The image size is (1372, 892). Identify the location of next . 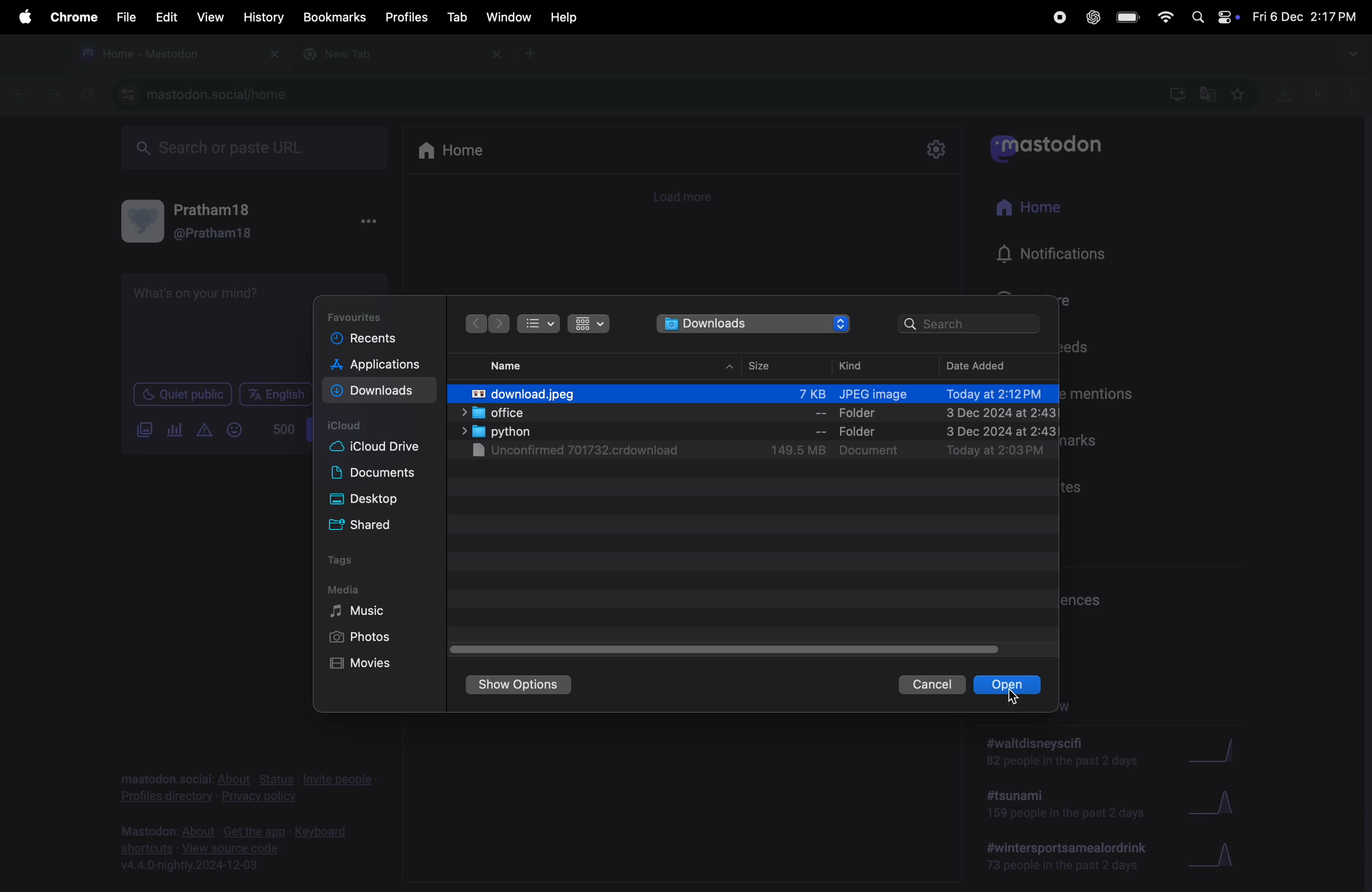
(476, 322).